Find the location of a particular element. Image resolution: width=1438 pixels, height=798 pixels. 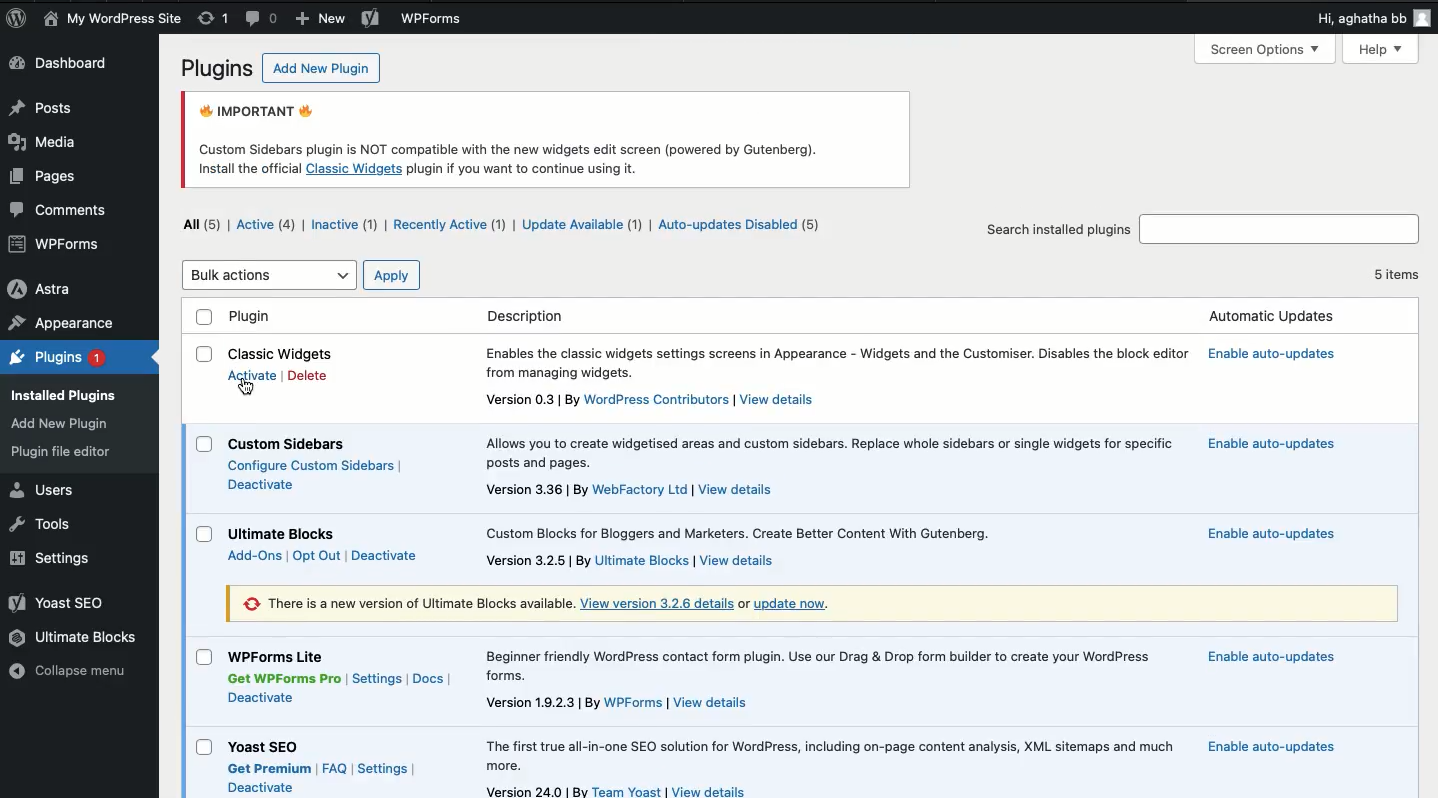

Astra is located at coordinates (41, 289).